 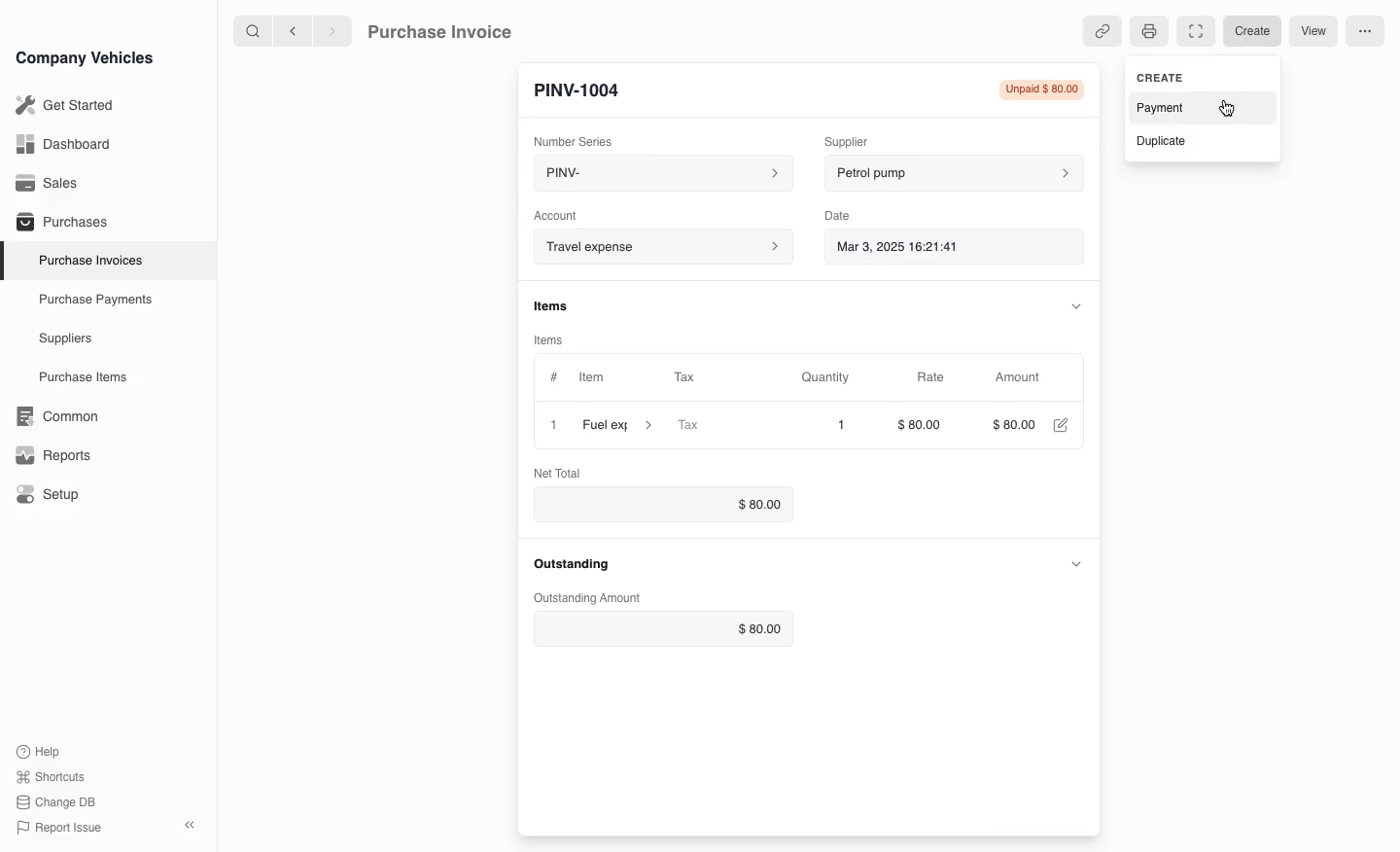 I want to click on Supplier, so click(x=859, y=139).